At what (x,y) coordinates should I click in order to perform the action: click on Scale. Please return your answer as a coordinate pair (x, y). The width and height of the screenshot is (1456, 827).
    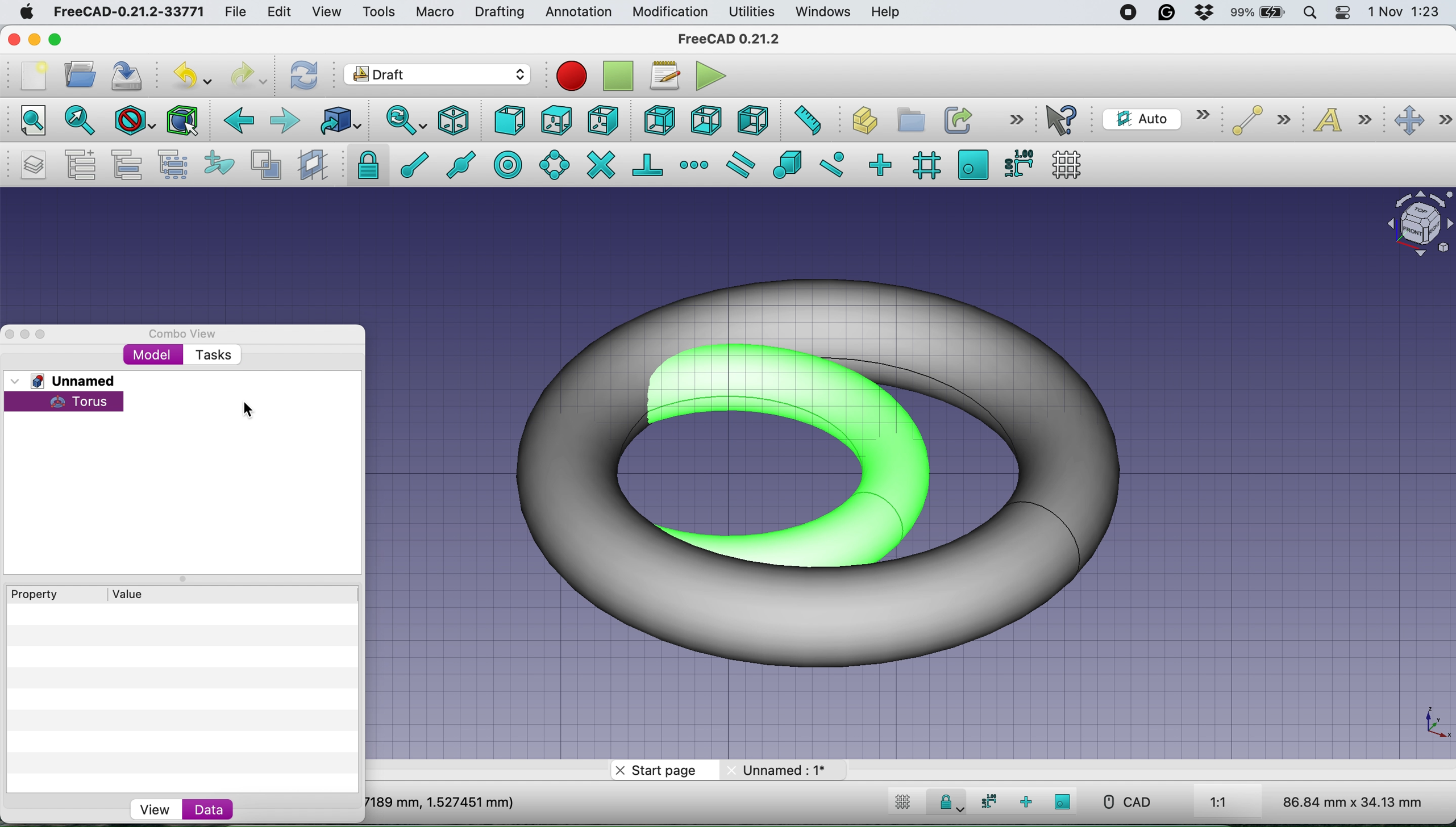
    Looking at the image, I should click on (1434, 724).